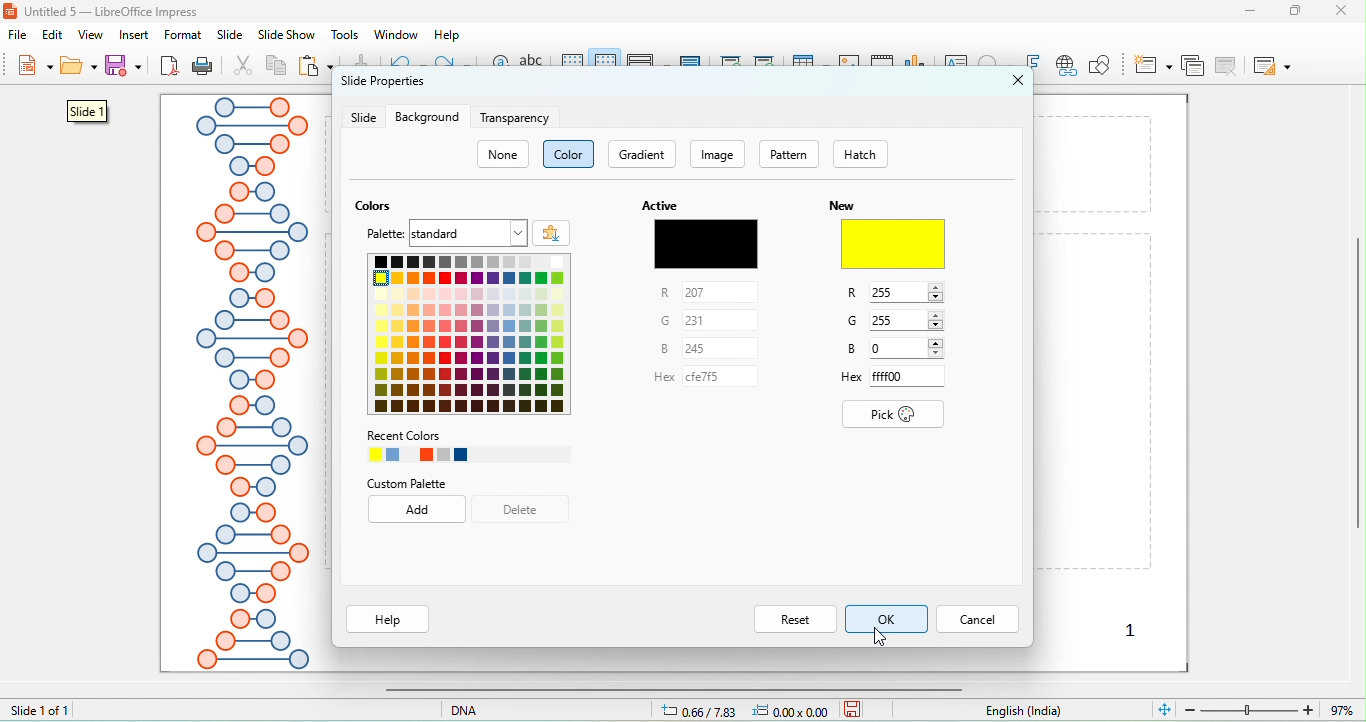 This screenshot has height=722, width=1366. I want to click on remove slide, so click(1229, 65).